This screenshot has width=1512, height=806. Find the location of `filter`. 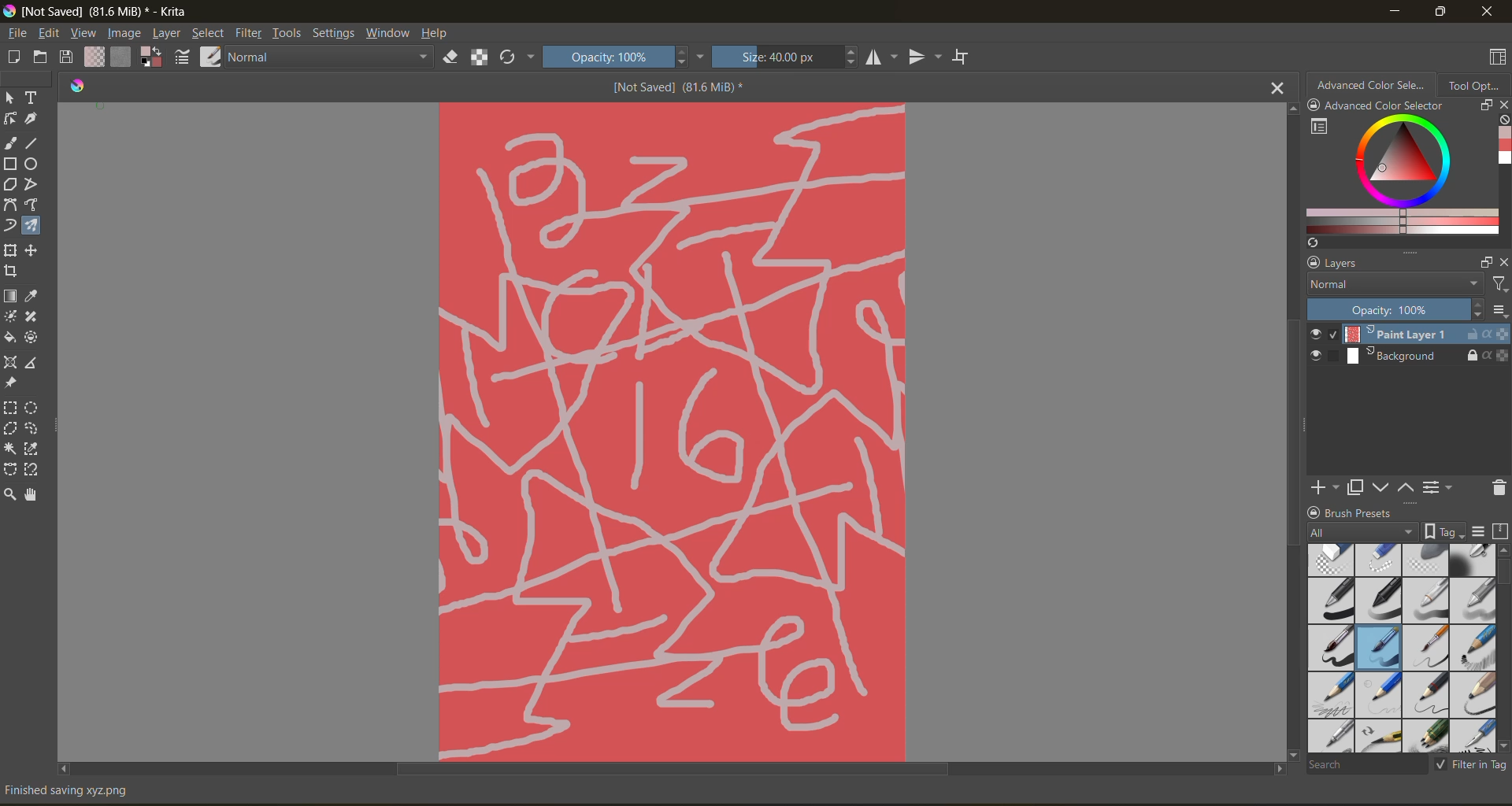

filter is located at coordinates (250, 35).